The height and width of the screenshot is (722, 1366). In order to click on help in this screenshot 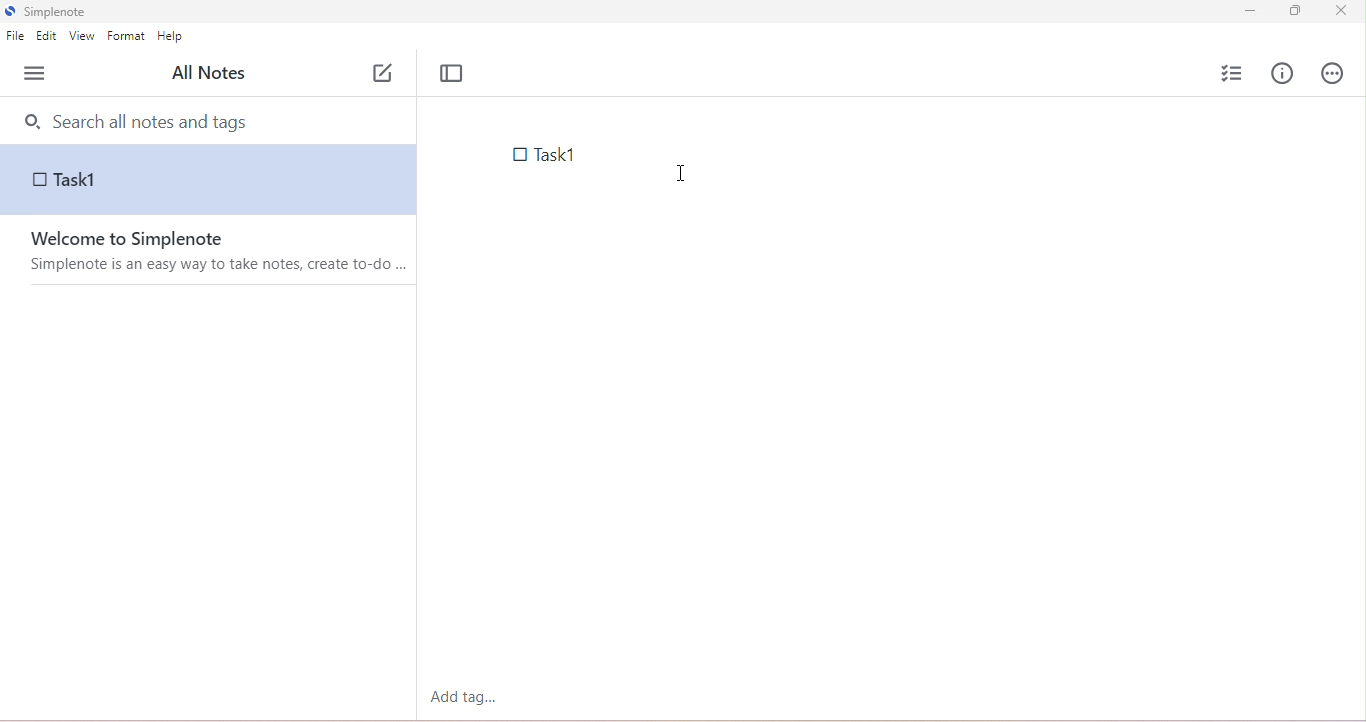, I will do `click(172, 38)`.